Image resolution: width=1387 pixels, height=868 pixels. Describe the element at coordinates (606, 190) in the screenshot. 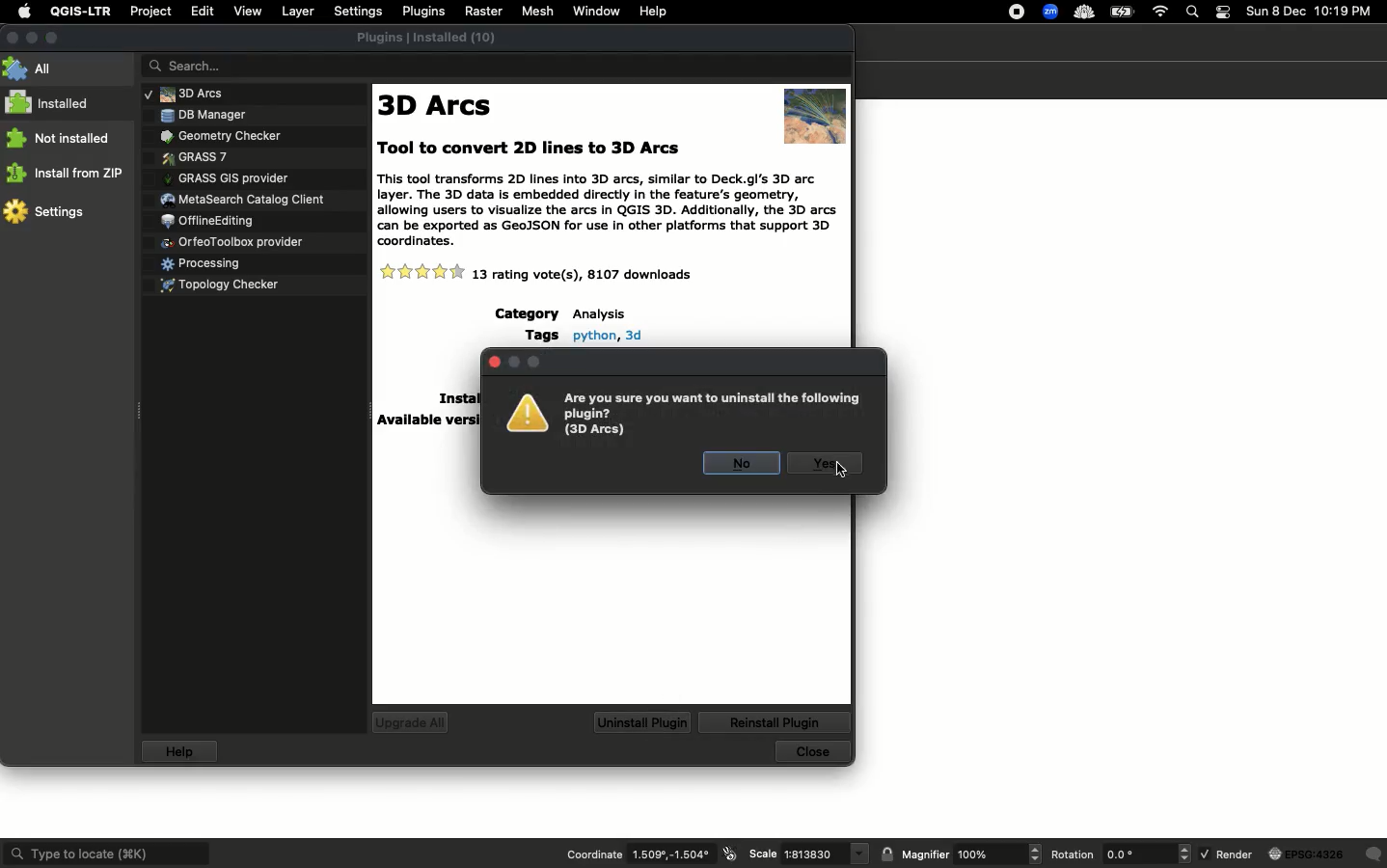

I see `Text` at that location.